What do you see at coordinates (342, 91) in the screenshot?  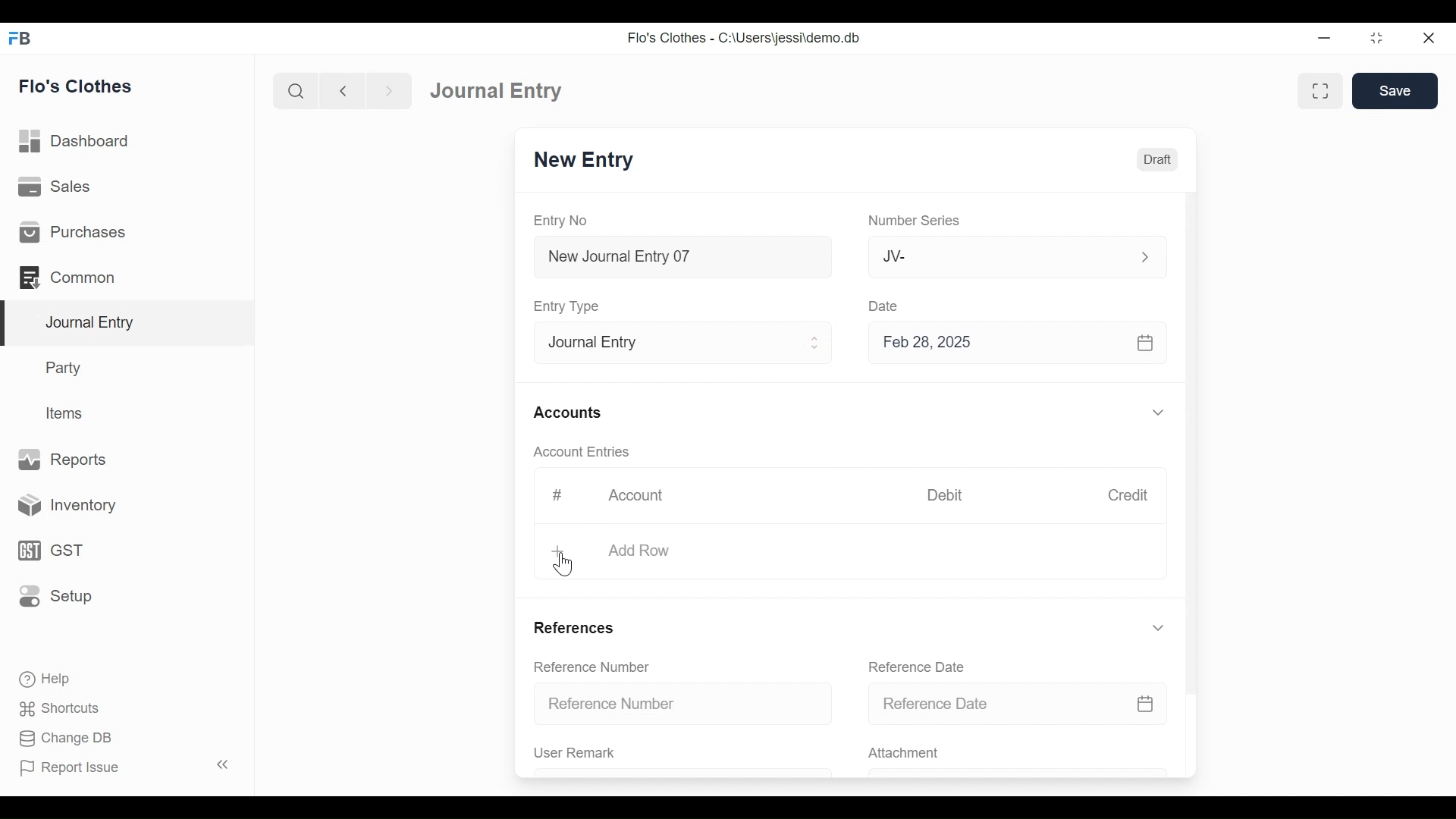 I see `Navigate Back` at bounding box center [342, 91].